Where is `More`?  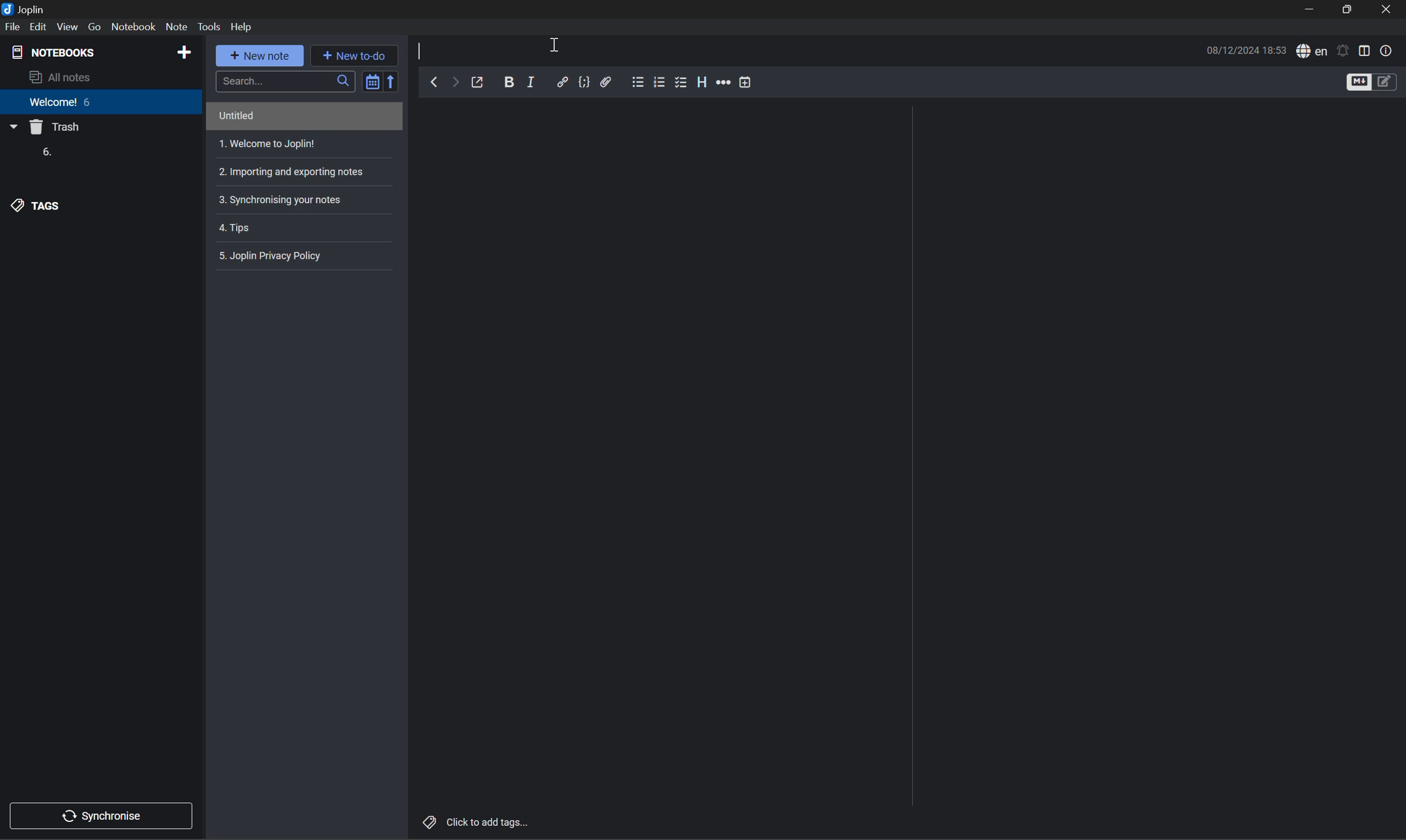
More is located at coordinates (723, 82).